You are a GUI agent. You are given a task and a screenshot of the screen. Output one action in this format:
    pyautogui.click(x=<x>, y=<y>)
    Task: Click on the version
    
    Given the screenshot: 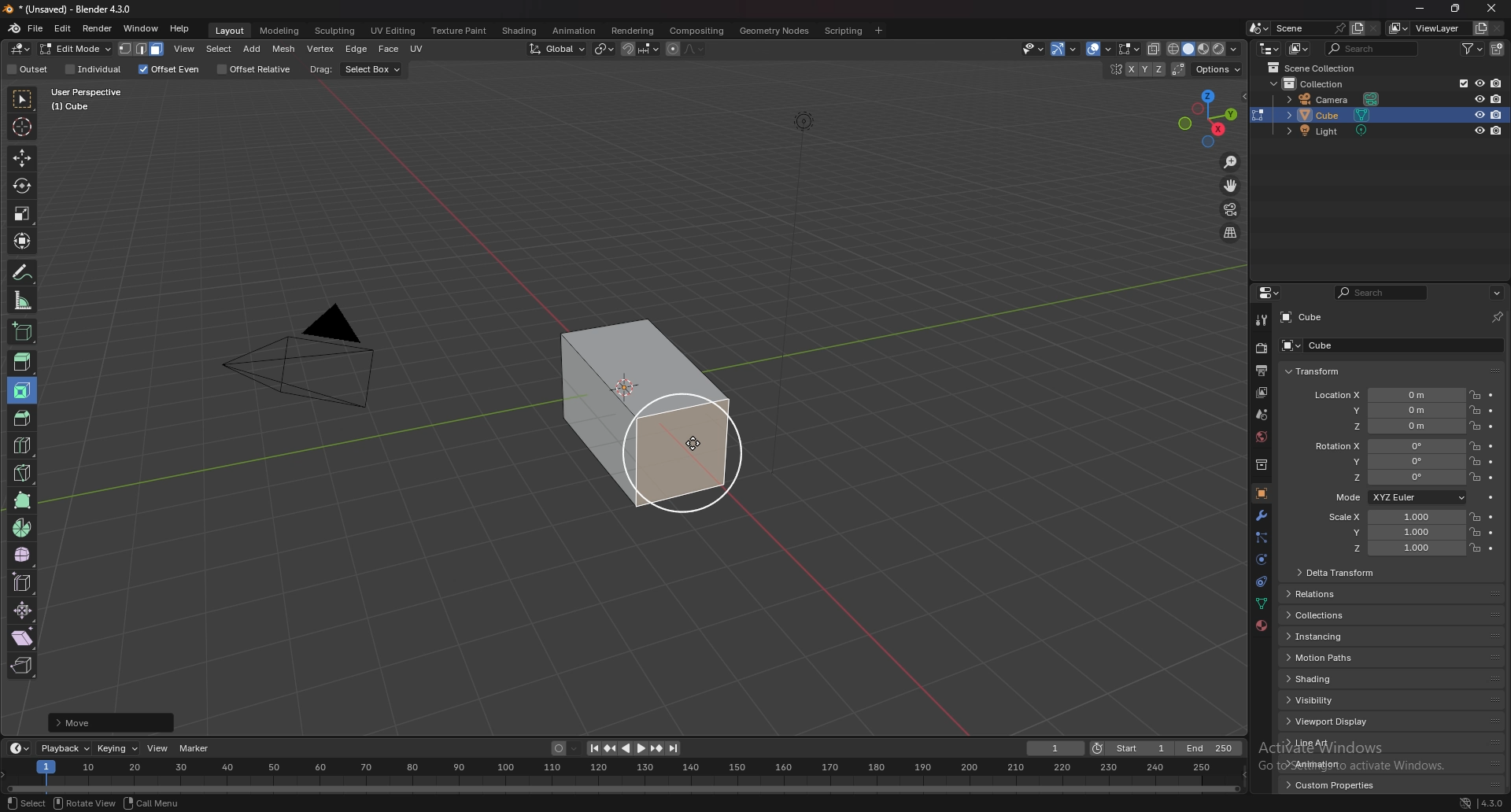 What is the action you would take?
    pyautogui.click(x=1493, y=803)
    